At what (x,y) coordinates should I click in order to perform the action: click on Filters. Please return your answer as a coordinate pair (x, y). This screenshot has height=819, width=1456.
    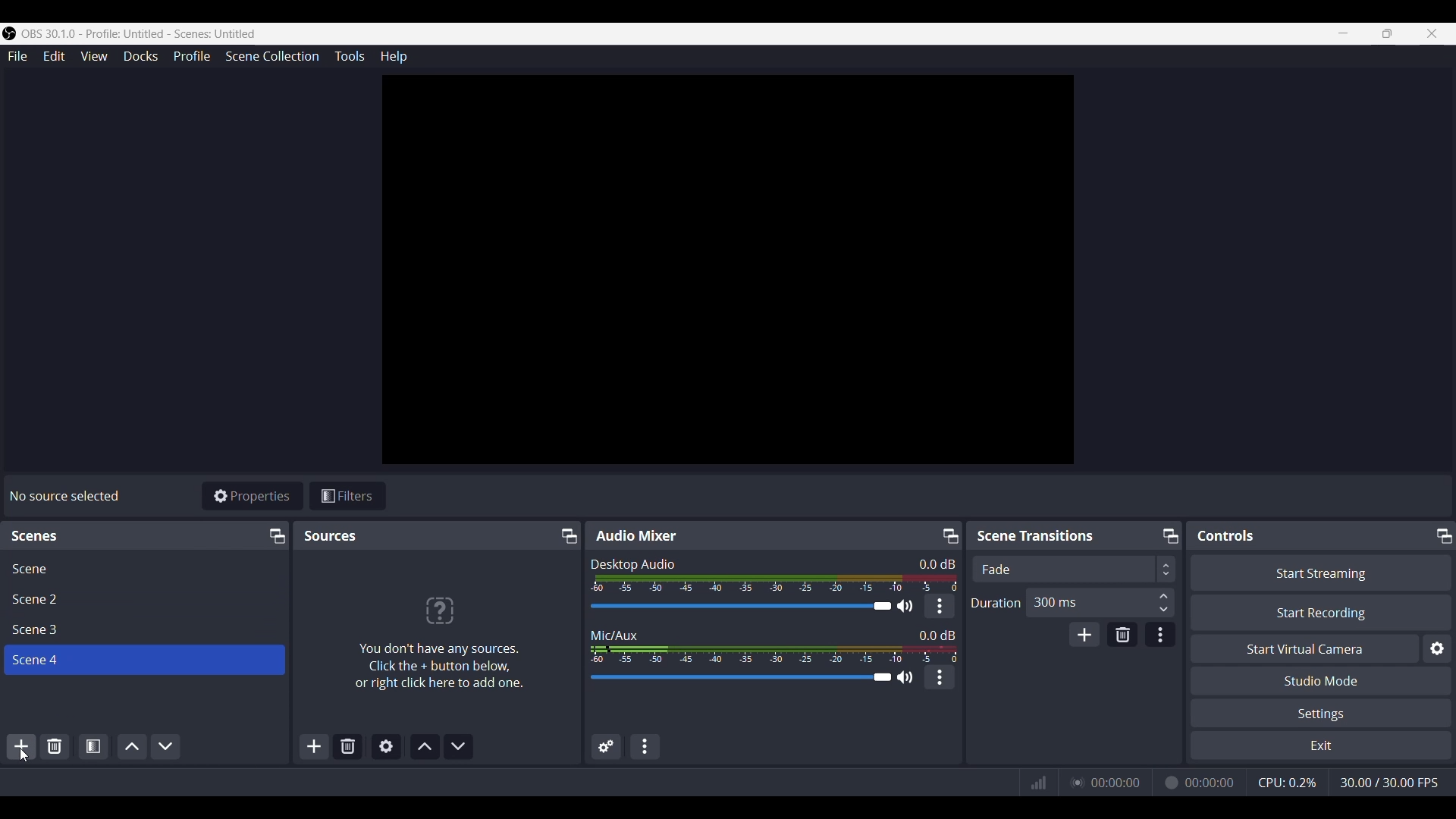
    Looking at the image, I should click on (348, 495).